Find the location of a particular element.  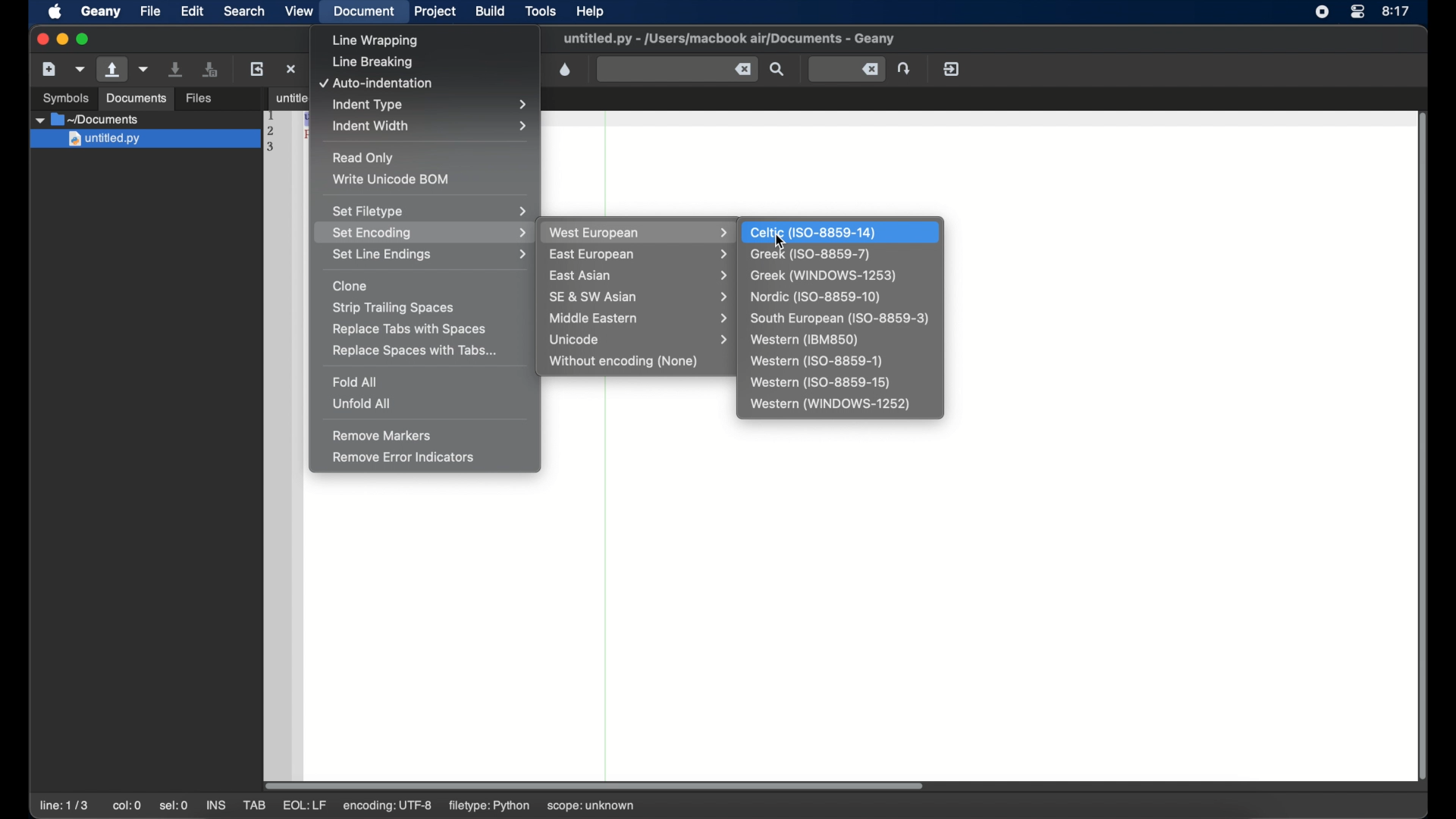

east asian menu is located at coordinates (641, 276).